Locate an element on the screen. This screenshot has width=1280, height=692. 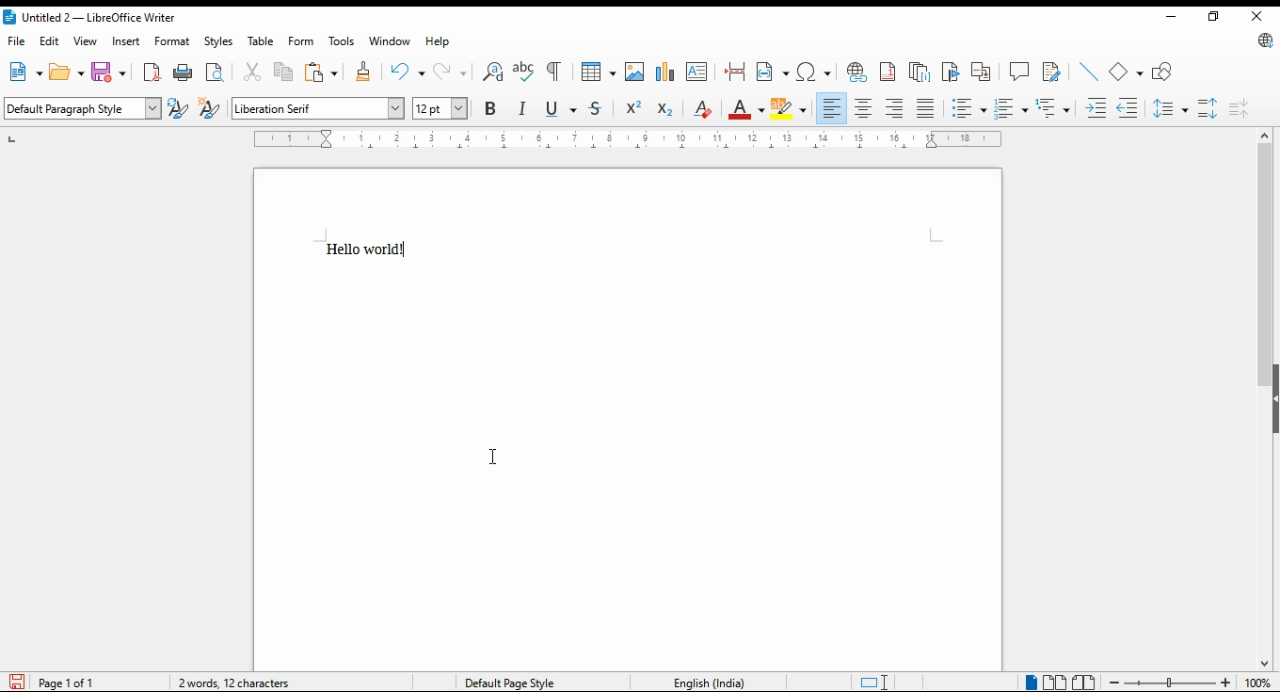
paste is located at coordinates (320, 71).